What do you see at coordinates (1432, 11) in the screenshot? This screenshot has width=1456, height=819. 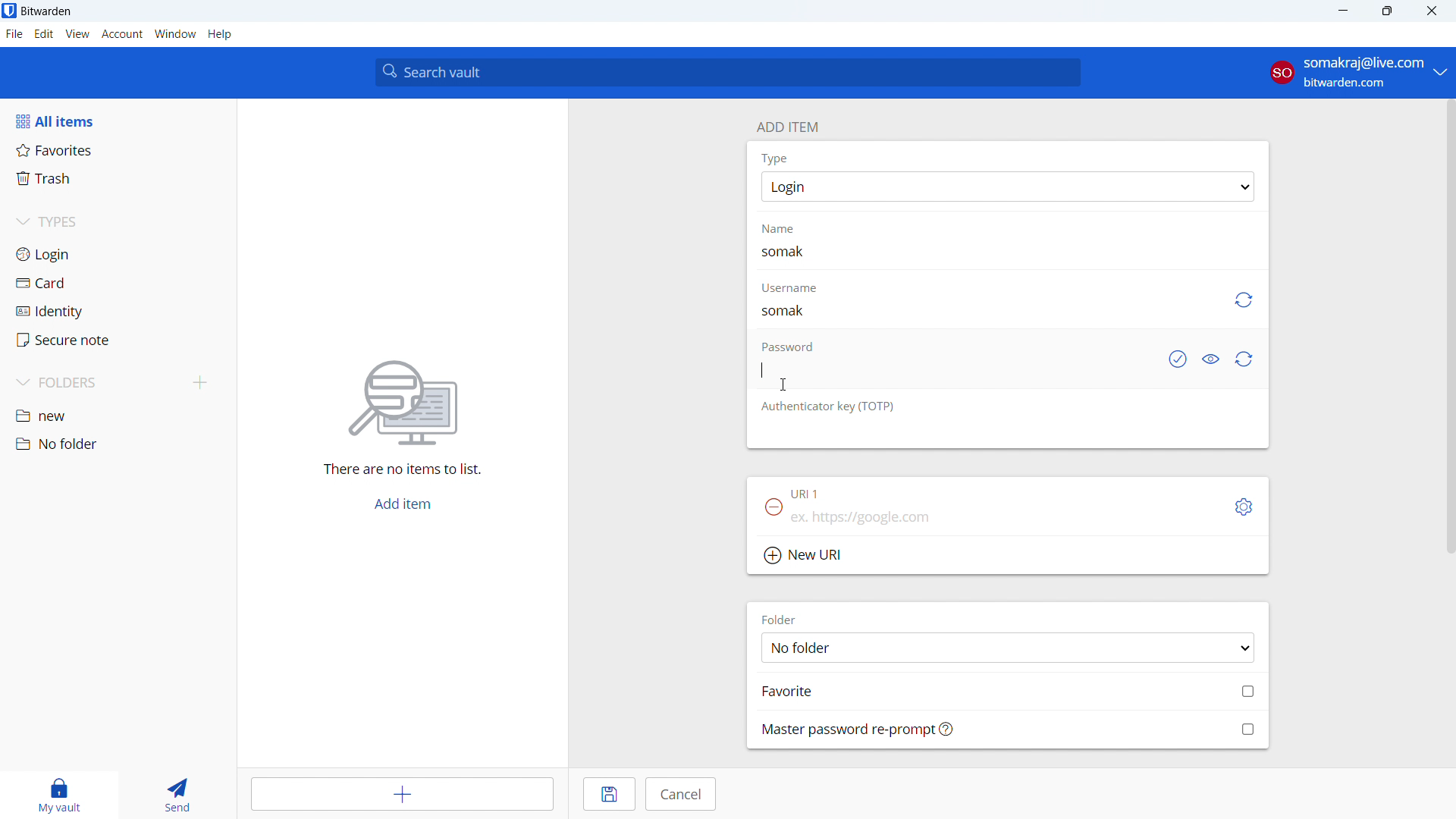 I see `close` at bounding box center [1432, 11].